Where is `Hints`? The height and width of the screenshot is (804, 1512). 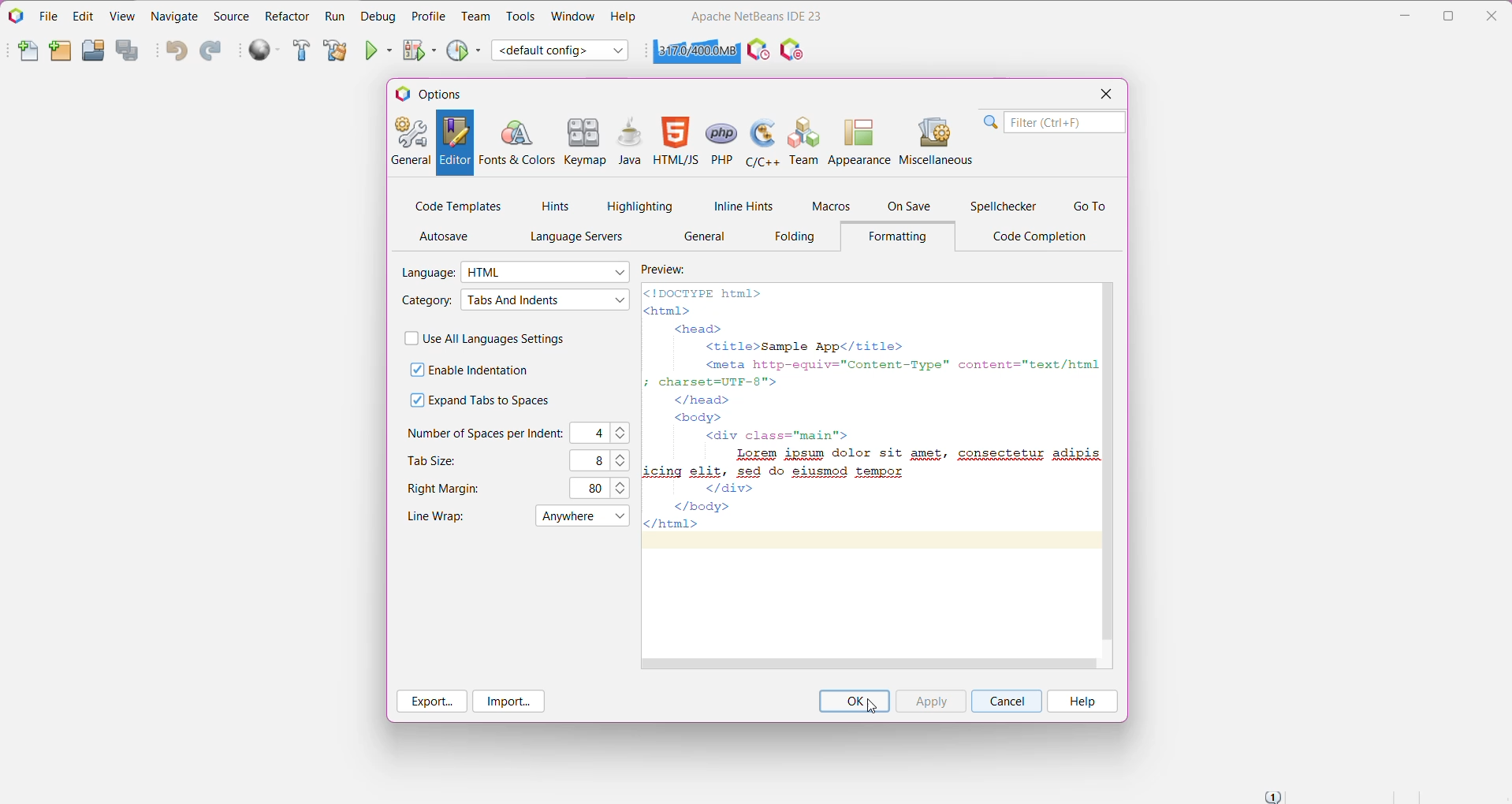 Hints is located at coordinates (556, 207).